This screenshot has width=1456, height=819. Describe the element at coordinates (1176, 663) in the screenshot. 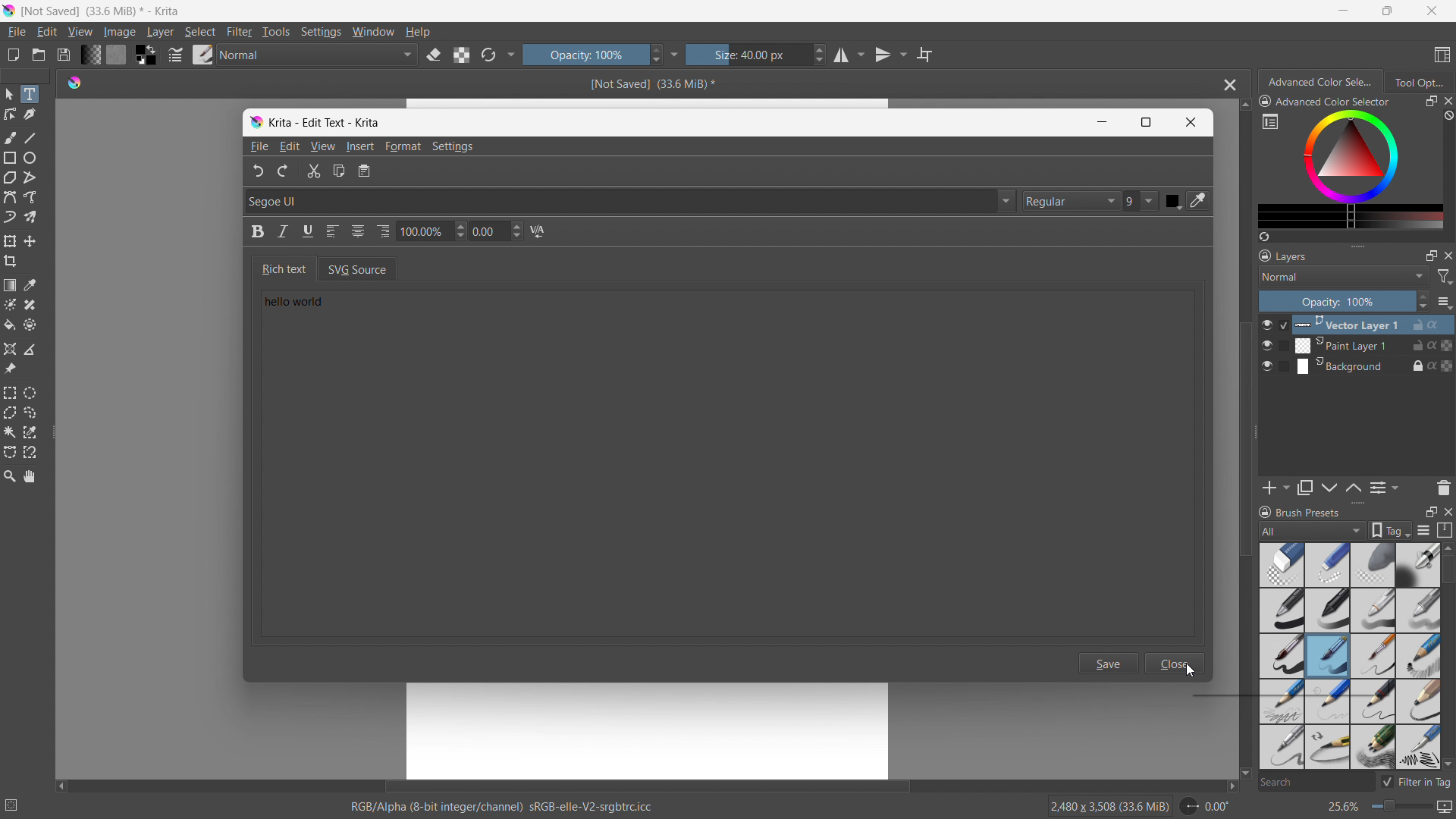

I see `Close` at that location.